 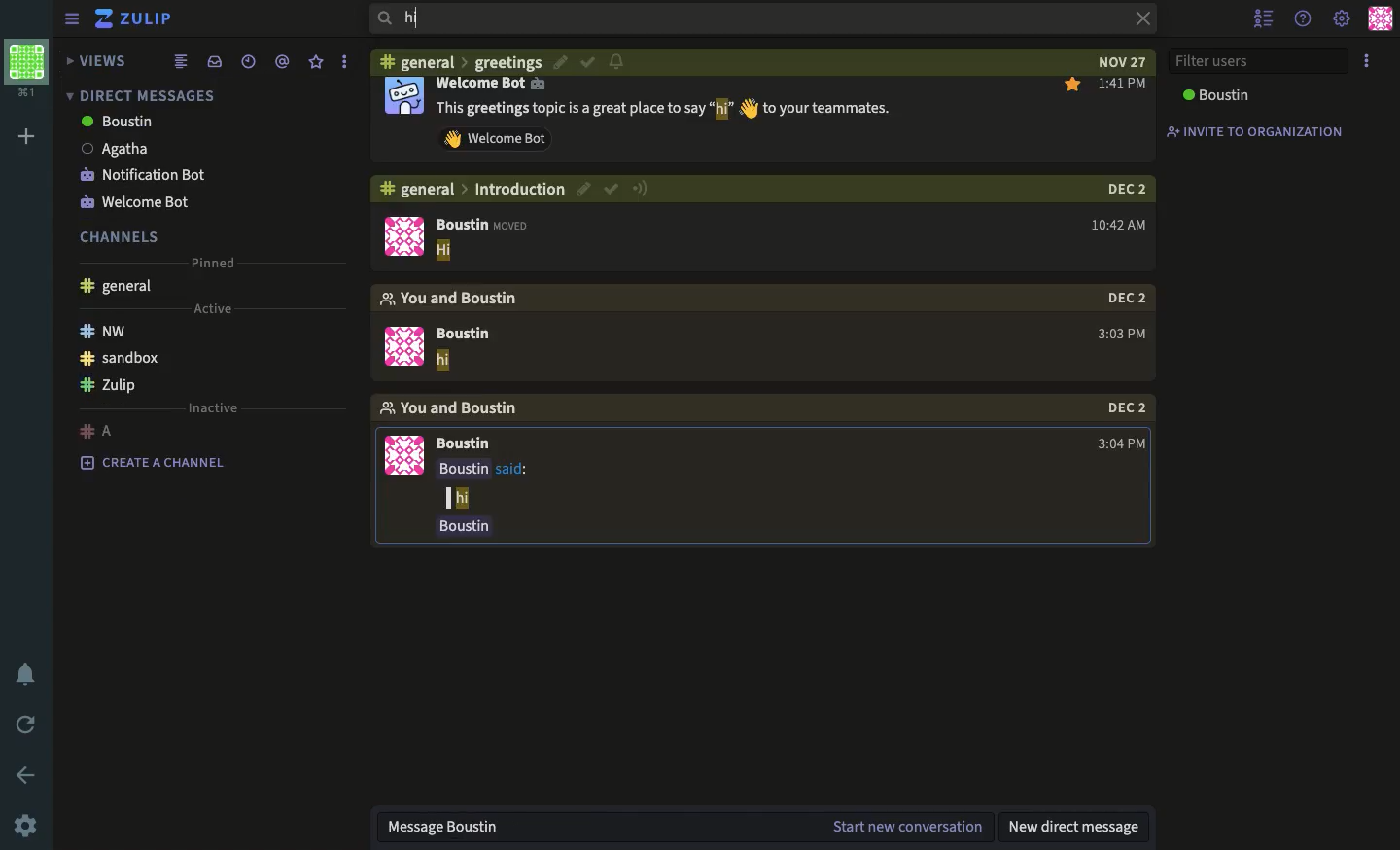 I want to click on  You and Boustin, so click(x=461, y=298).